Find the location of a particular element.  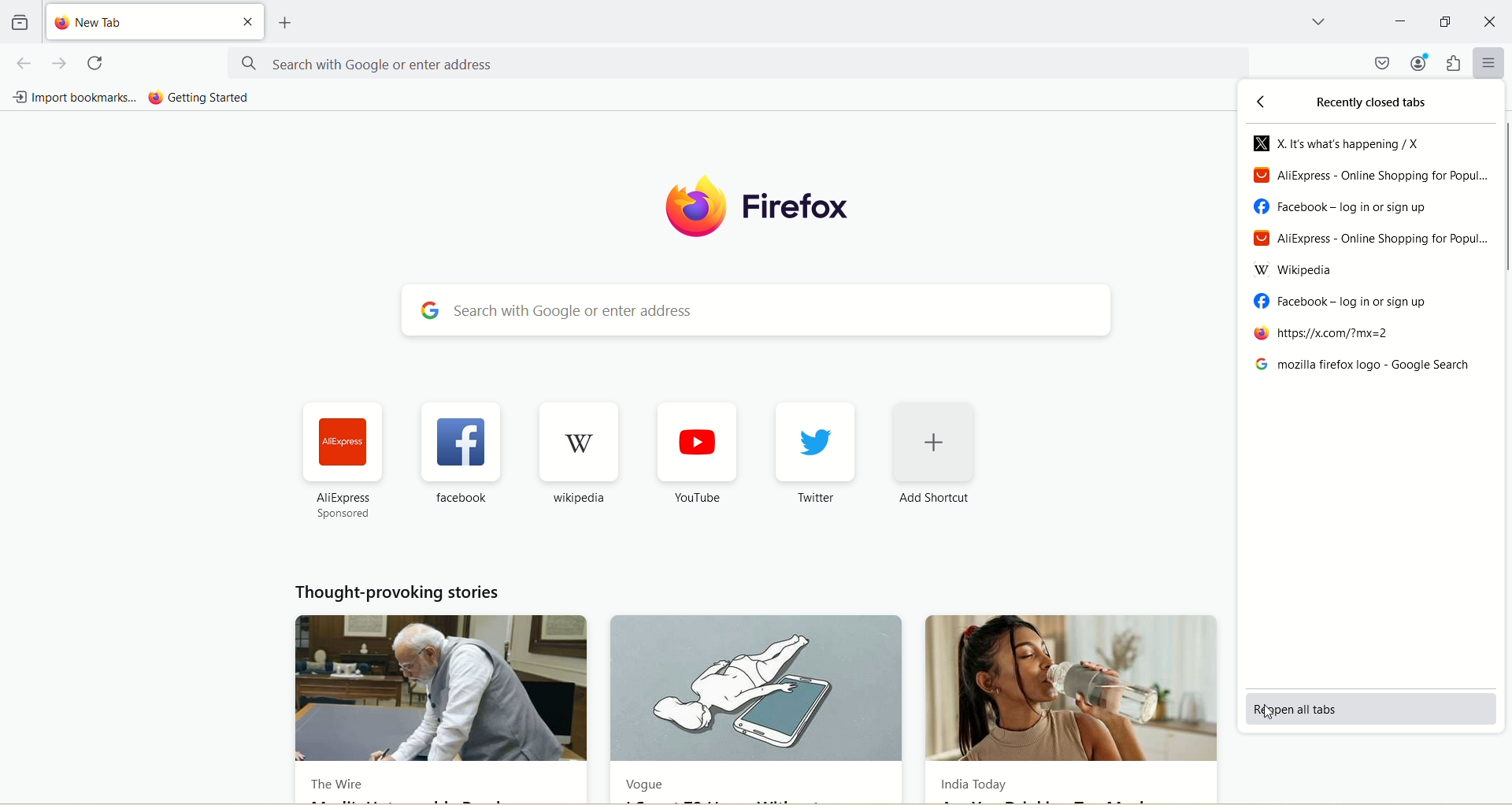

list all tabs is located at coordinates (1315, 21).